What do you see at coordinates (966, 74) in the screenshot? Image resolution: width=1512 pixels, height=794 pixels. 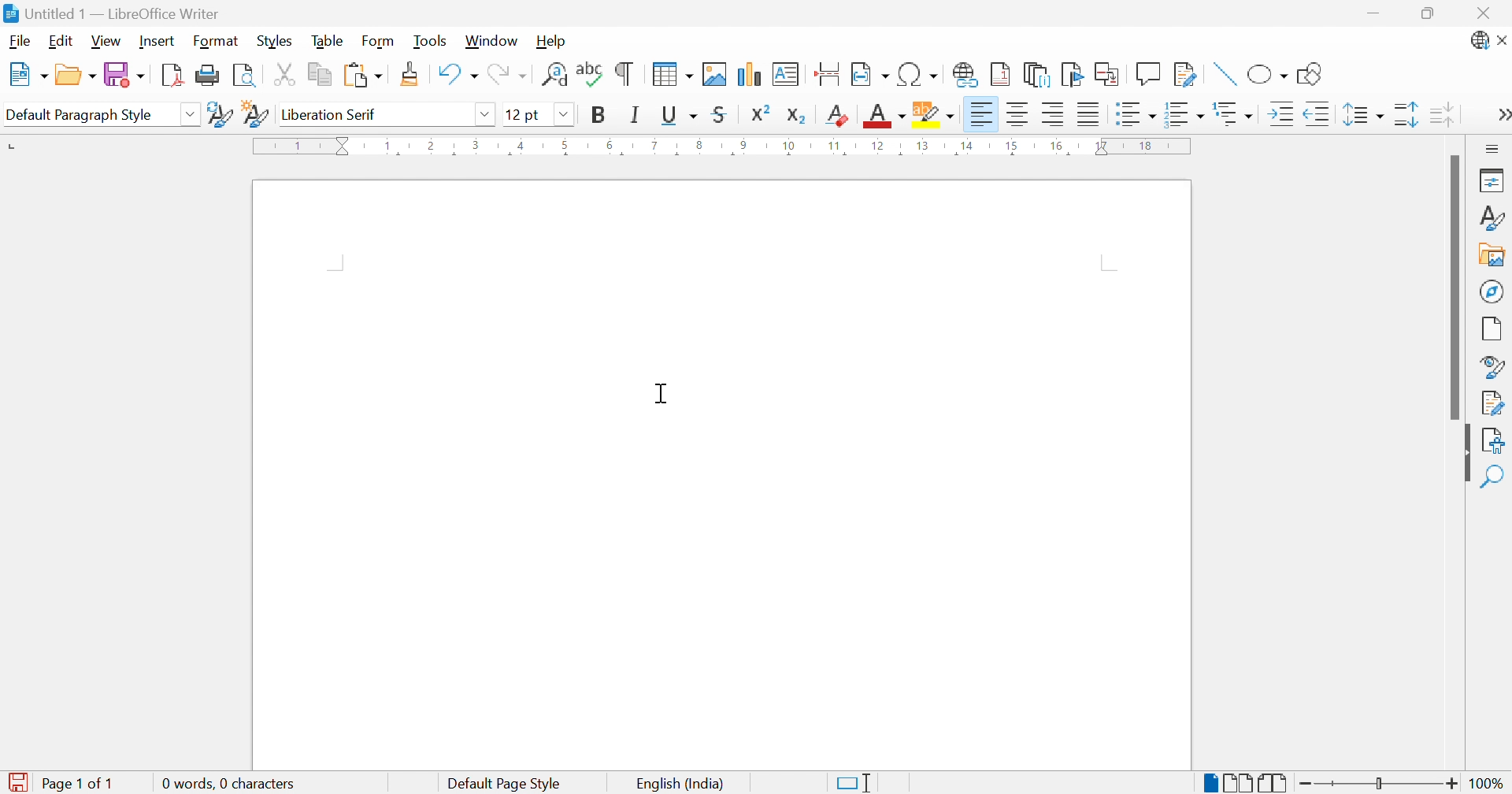 I see `Insert hyperlink` at bounding box center [966, 74].